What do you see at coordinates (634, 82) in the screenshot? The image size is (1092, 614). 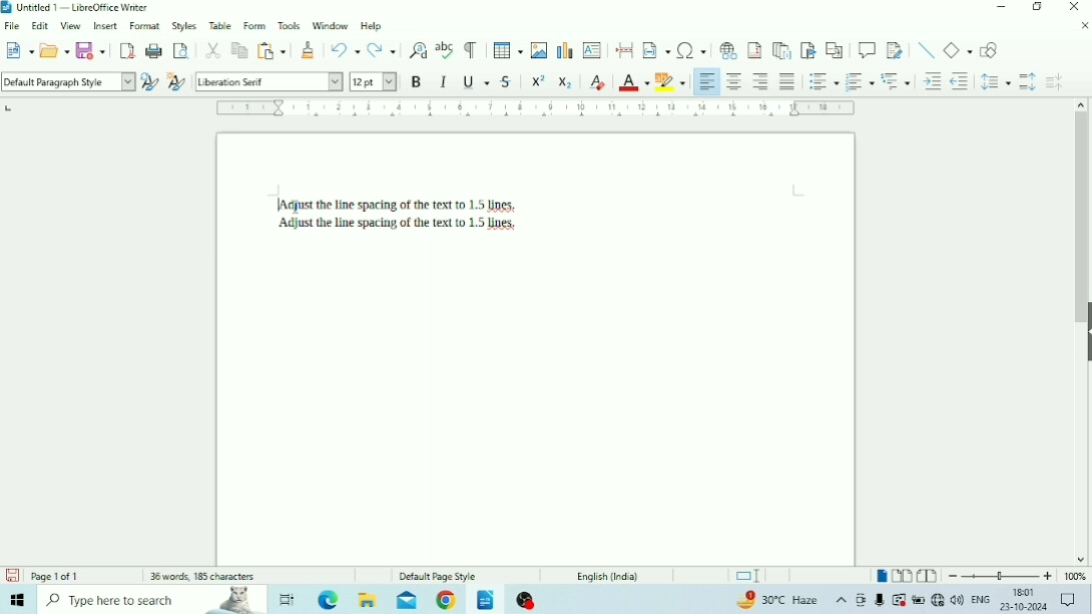 I see `Font Color` at bounding box center [634, 82].